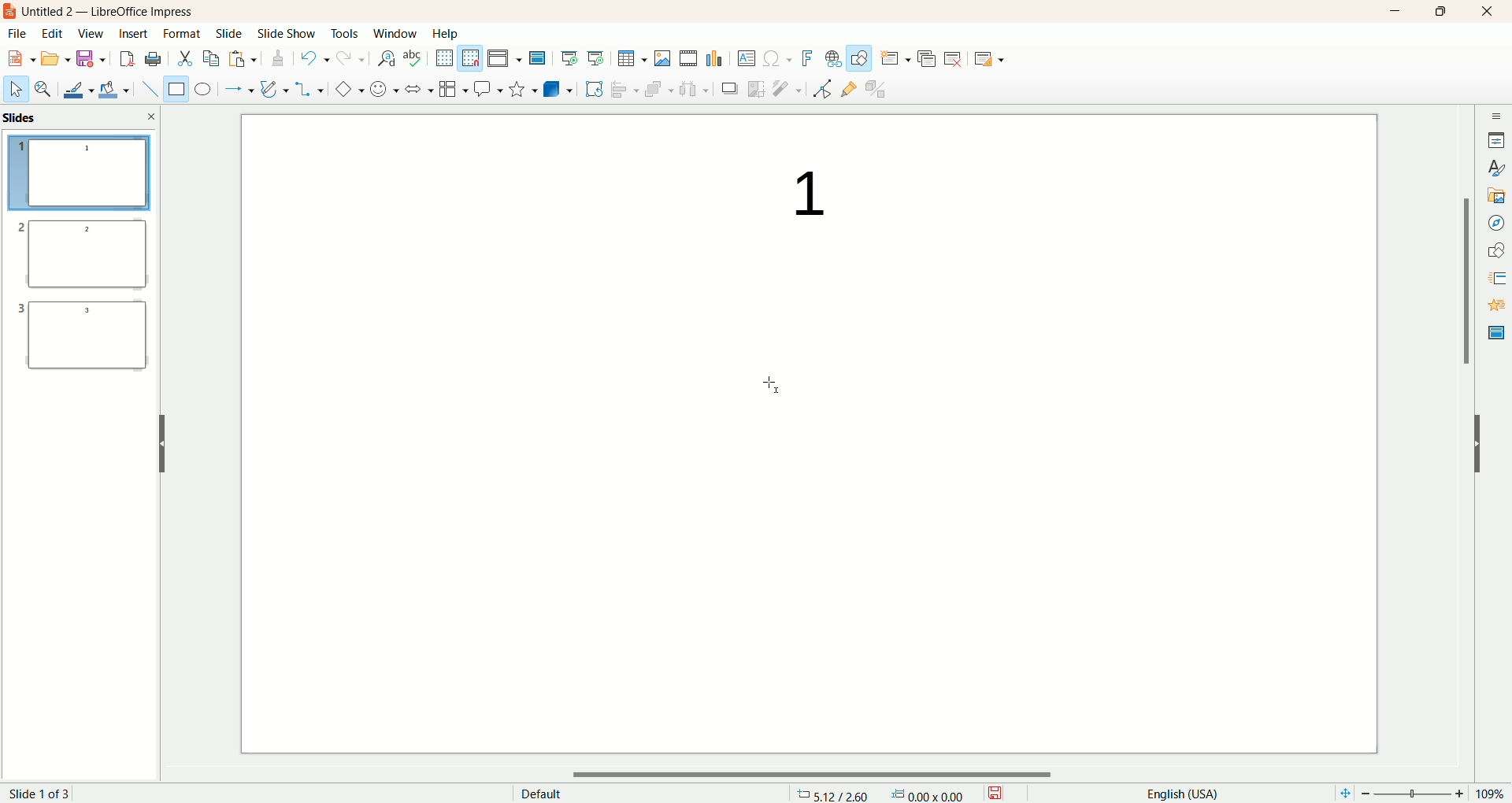 The height and width of the screenshot is (803, 1512). I want to click on insert chart, so click(716, 59).